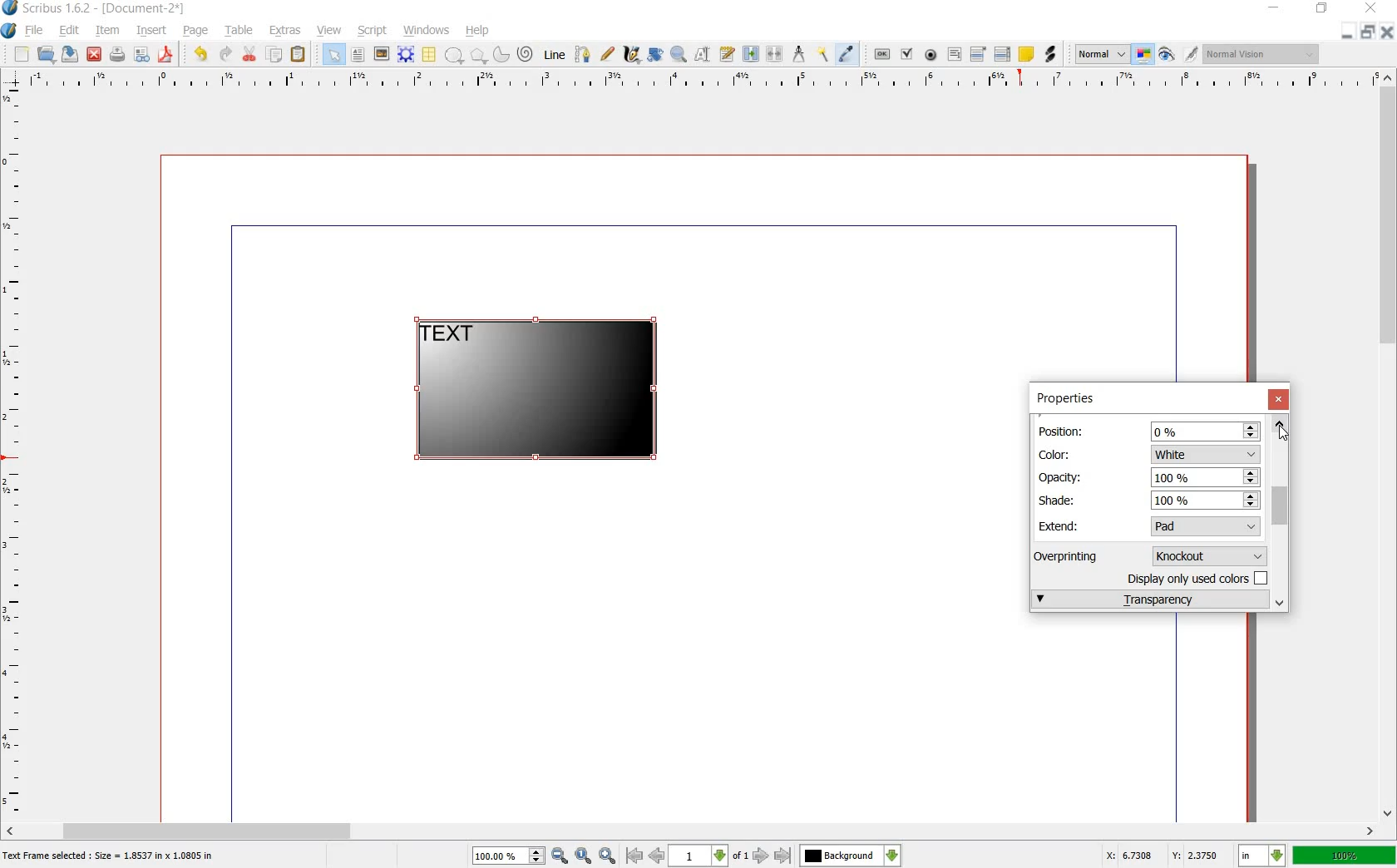 Image resolution: width=1397 pixels, height=868 pixels. Describe the element at coordinates (1026, 54) in the screenshot. I see `text annotation` at that location.